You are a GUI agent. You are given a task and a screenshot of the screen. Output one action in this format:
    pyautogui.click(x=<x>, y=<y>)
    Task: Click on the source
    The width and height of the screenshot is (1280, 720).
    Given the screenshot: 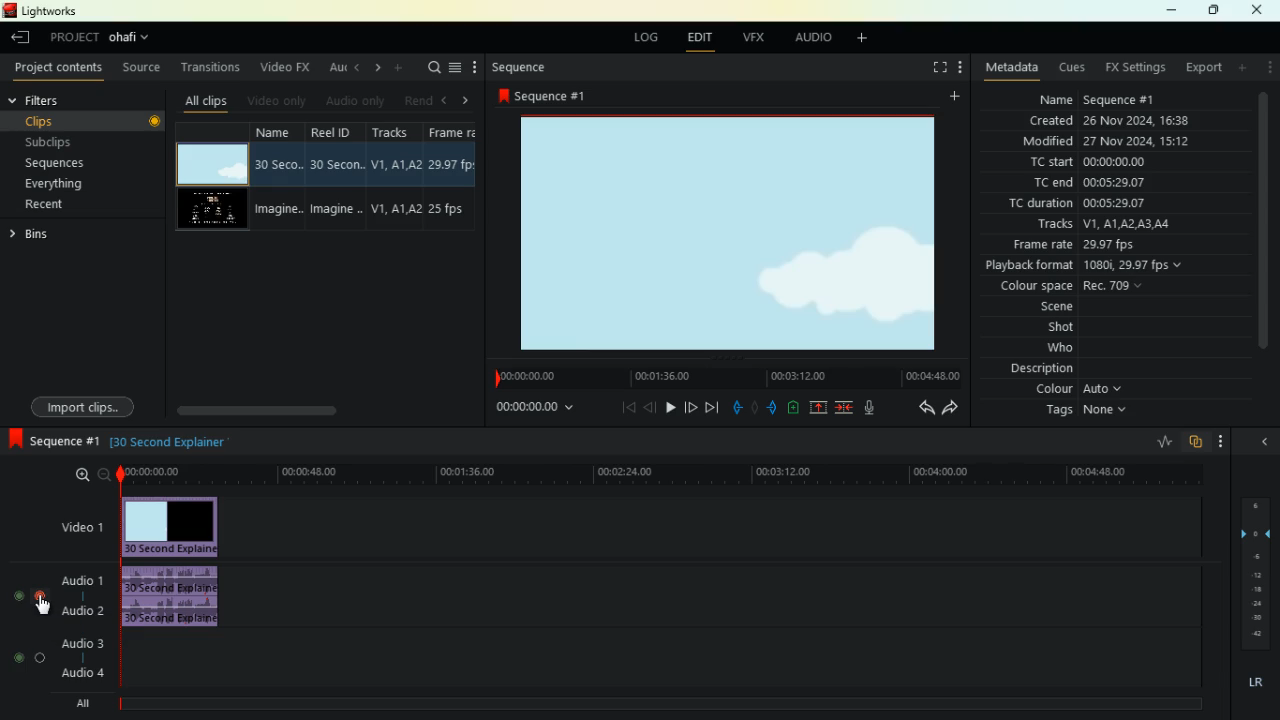 What is the action you would take?
    pyautogui.click(x=144, y=70)
    